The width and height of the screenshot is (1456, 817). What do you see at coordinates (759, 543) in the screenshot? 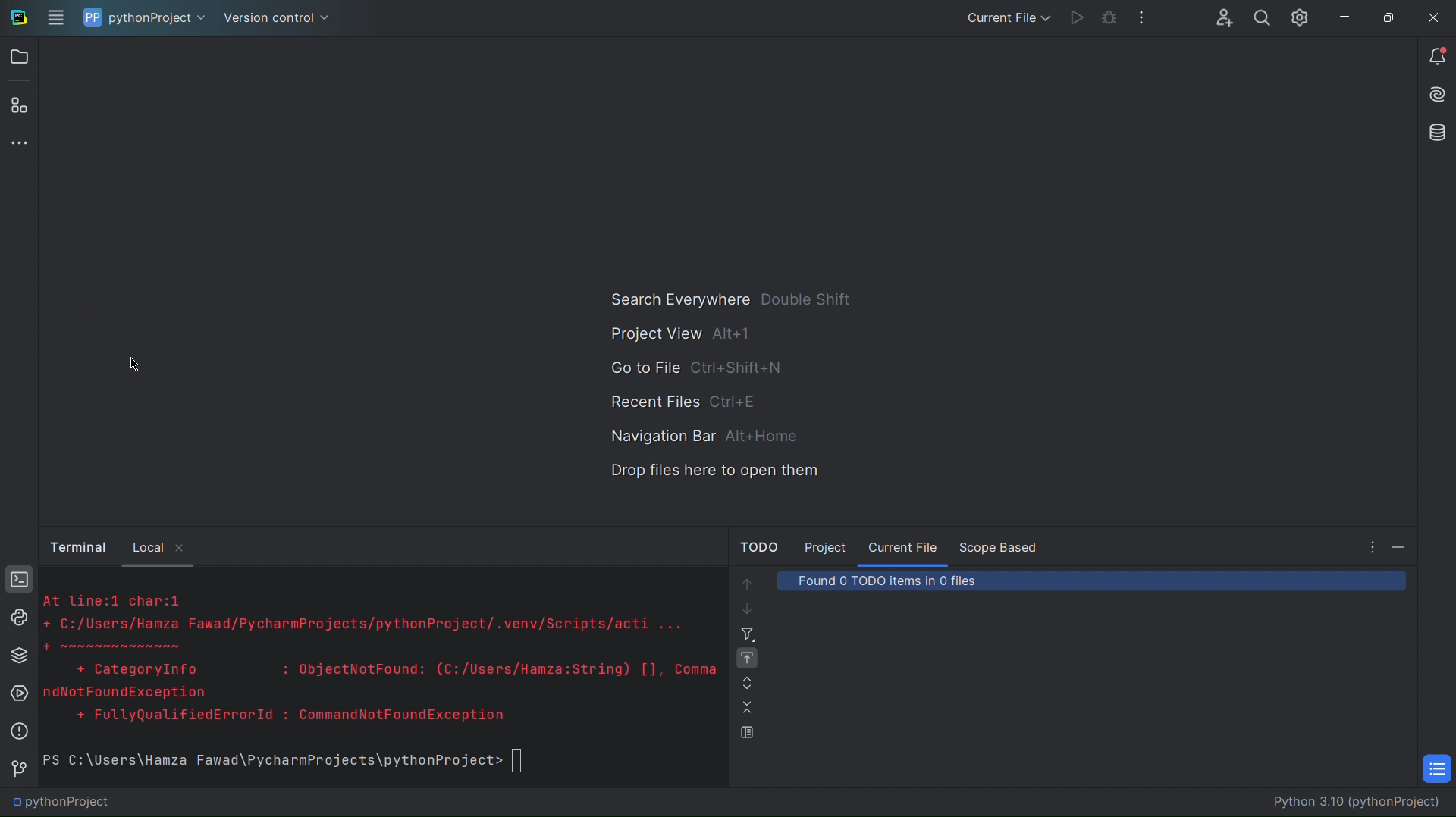
I see `TODO` at bounding box center [759, 543].